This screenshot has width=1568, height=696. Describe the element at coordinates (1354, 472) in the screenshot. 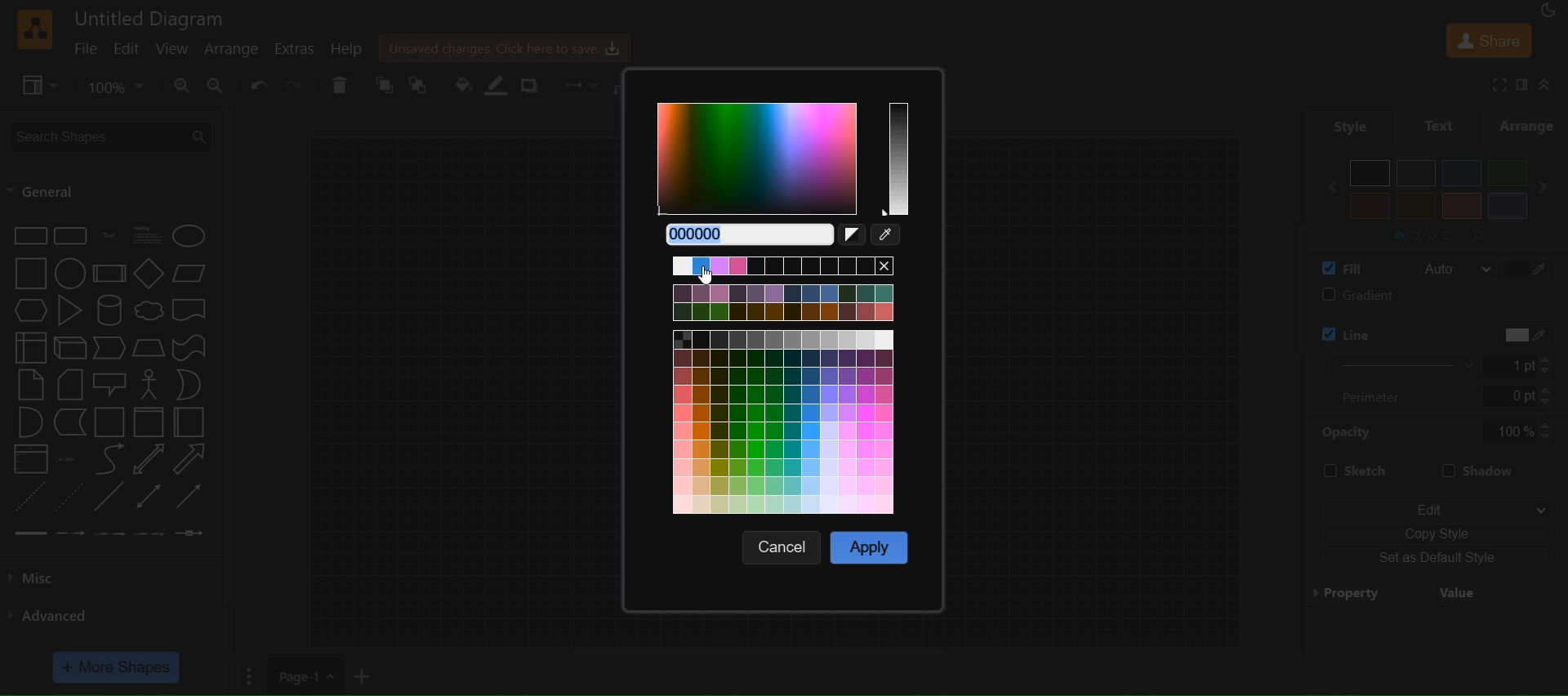

I see `sketch` at that location.